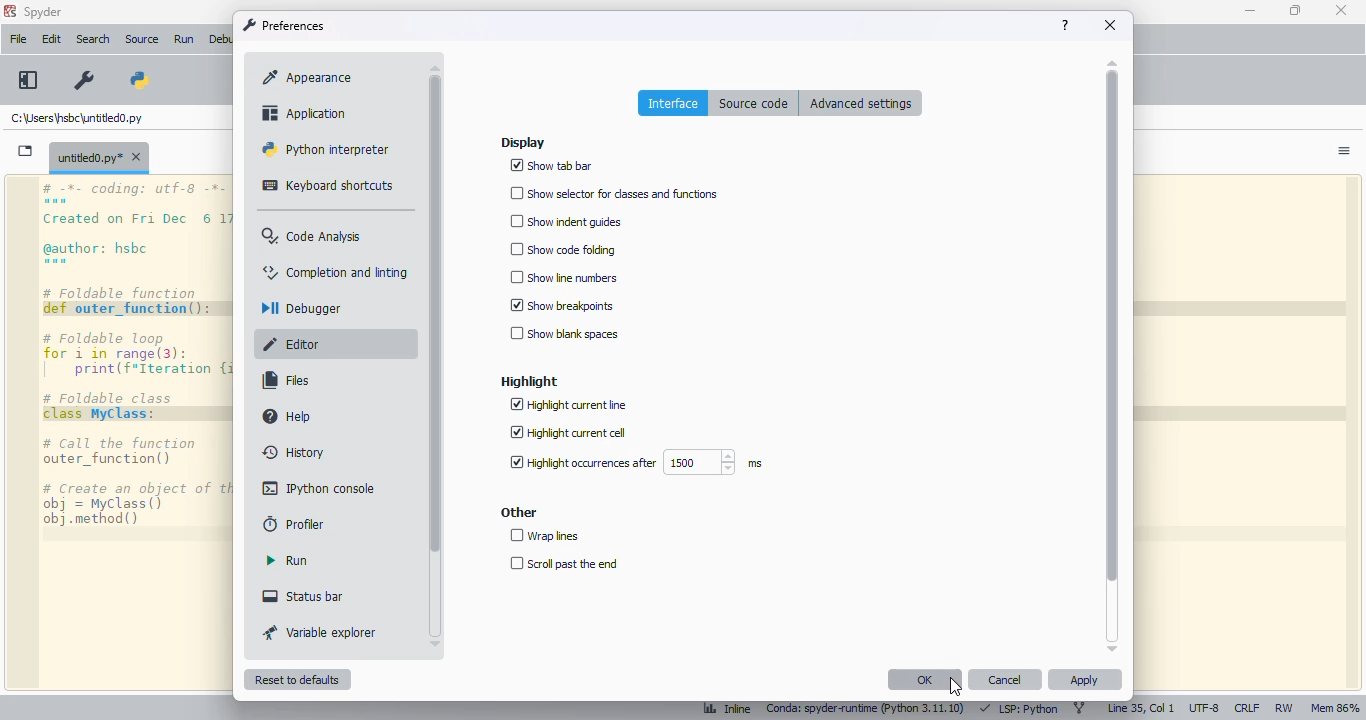 This screenshot has width=1366, height=720. Describe the element at coordinates (320, 488) in the screenshot. I see `IPython console` at that location.